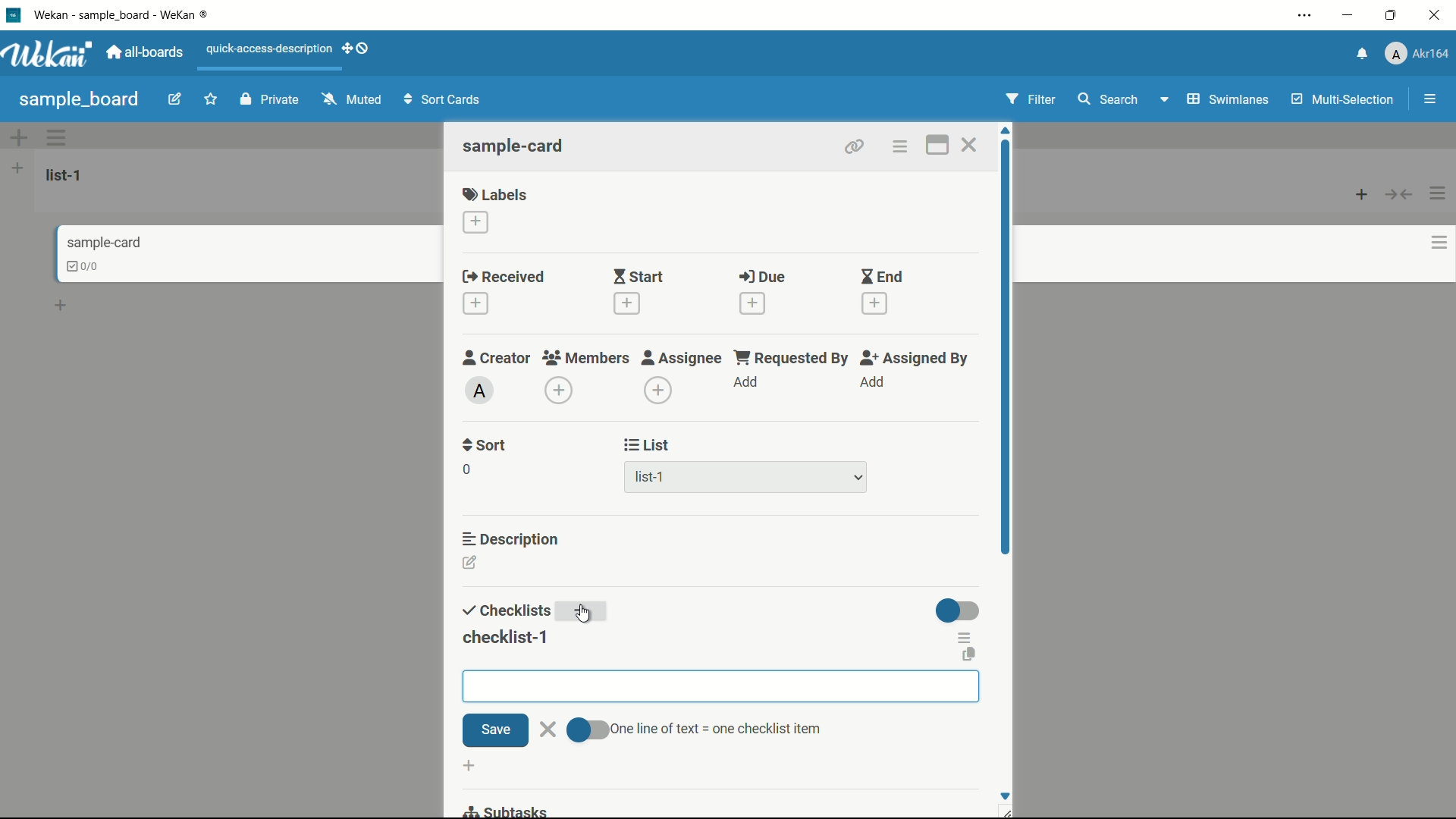  Describe the element at coordinates (1360, 52) in the screenshot. I see `notifications` at that location.